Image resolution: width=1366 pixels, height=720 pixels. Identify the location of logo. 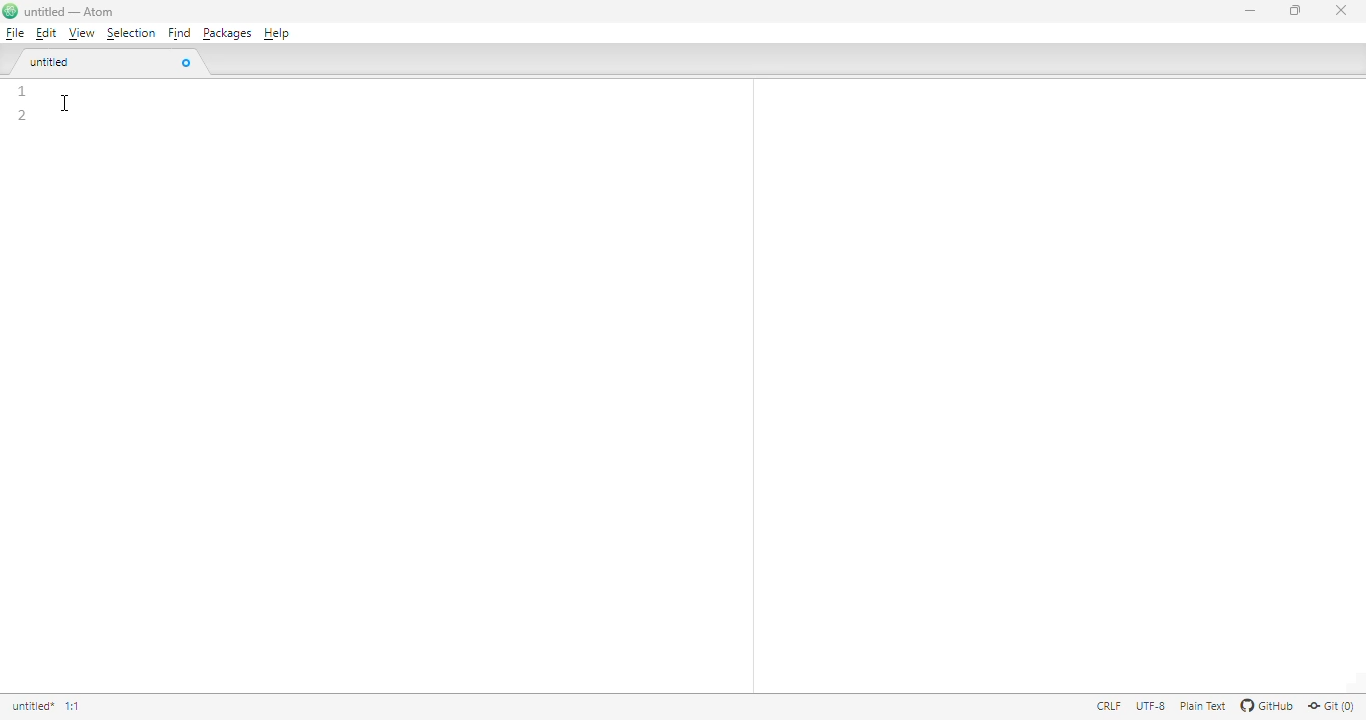
(9, 10).